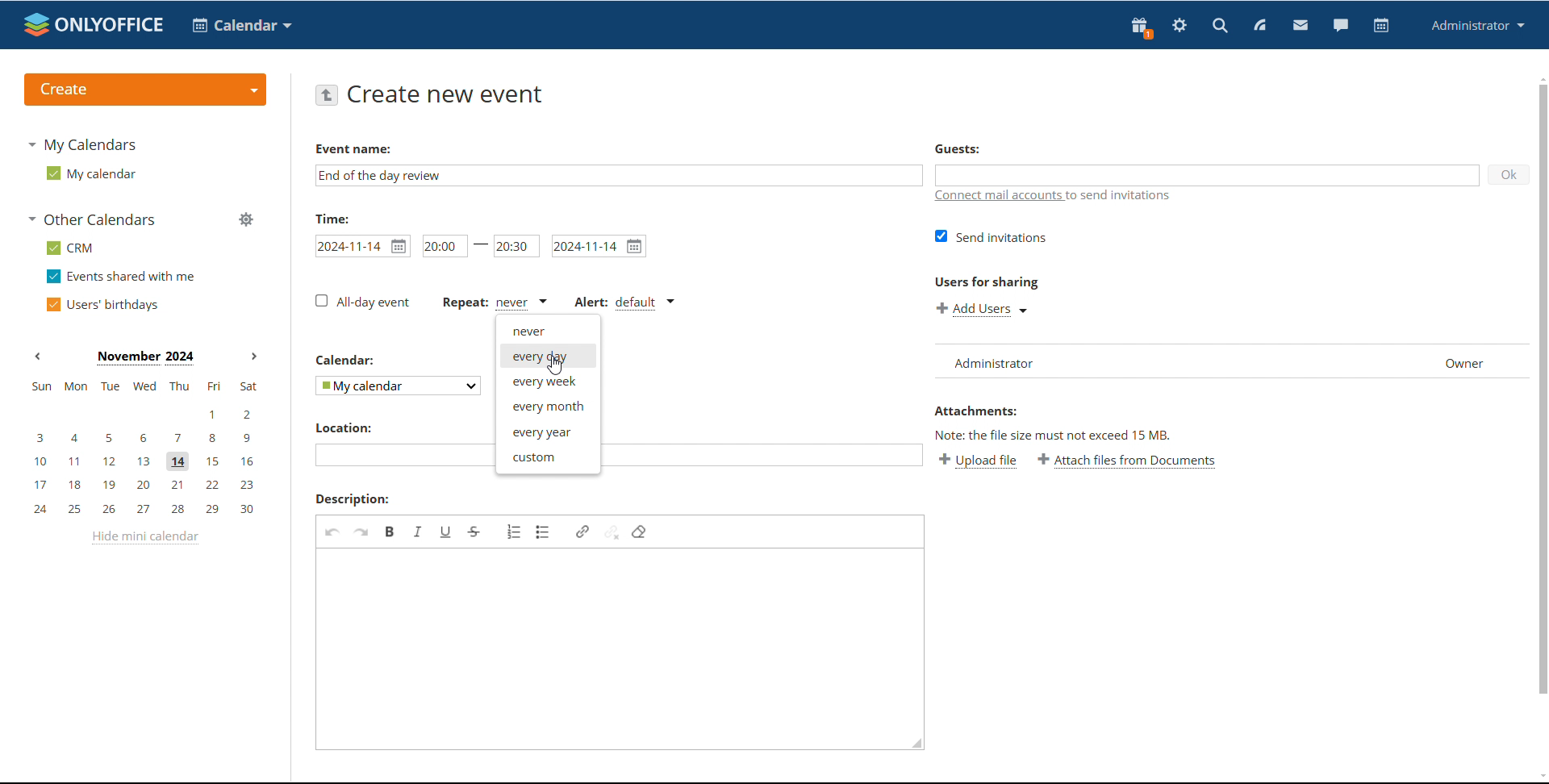 This screenshot has width=1549, height=784. I want to click on 24, 25, 26, 27, 28, 29, 30 , so click(148, 510).